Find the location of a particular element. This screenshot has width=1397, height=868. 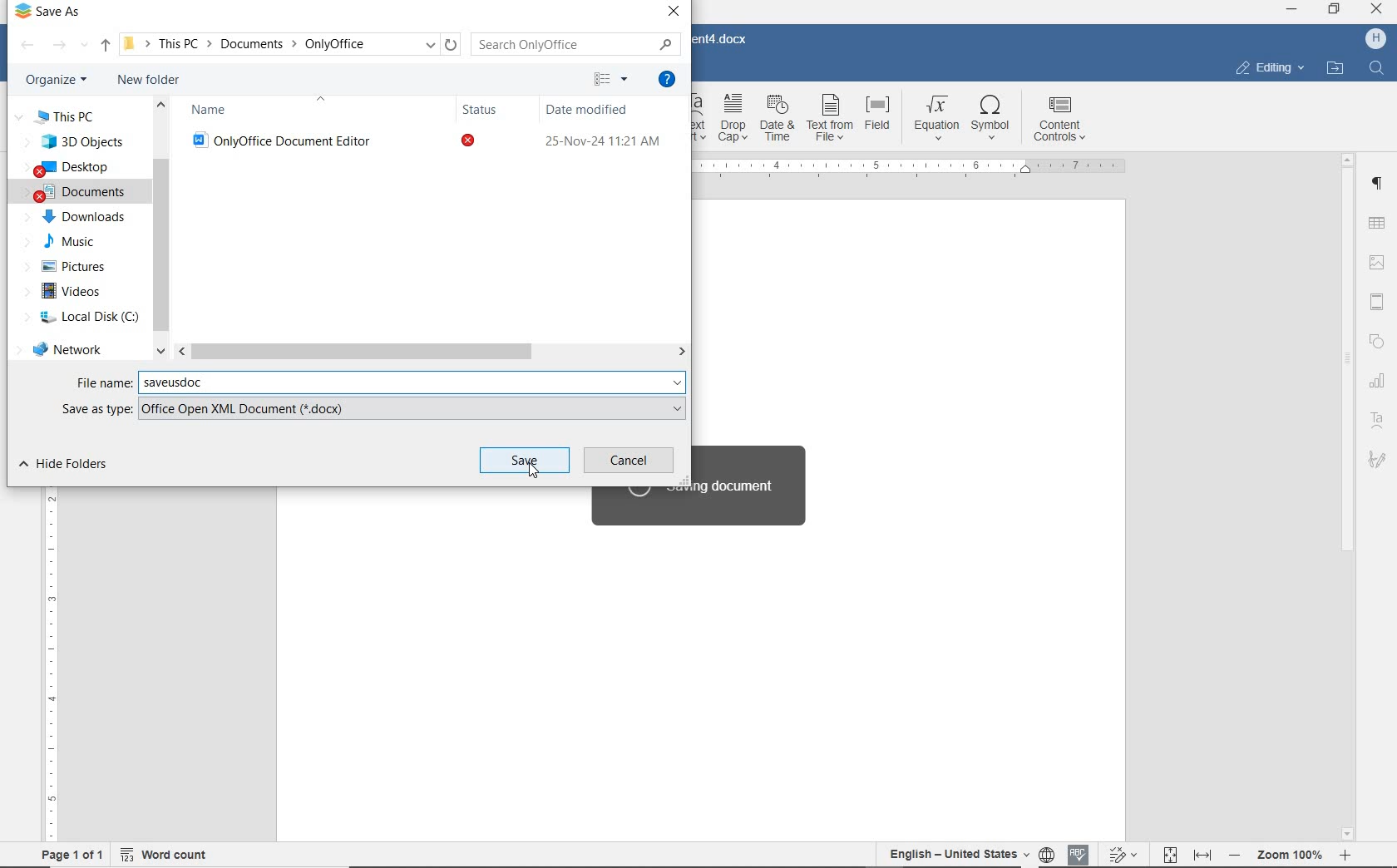

hide folders is located at coordinates (68, 467).